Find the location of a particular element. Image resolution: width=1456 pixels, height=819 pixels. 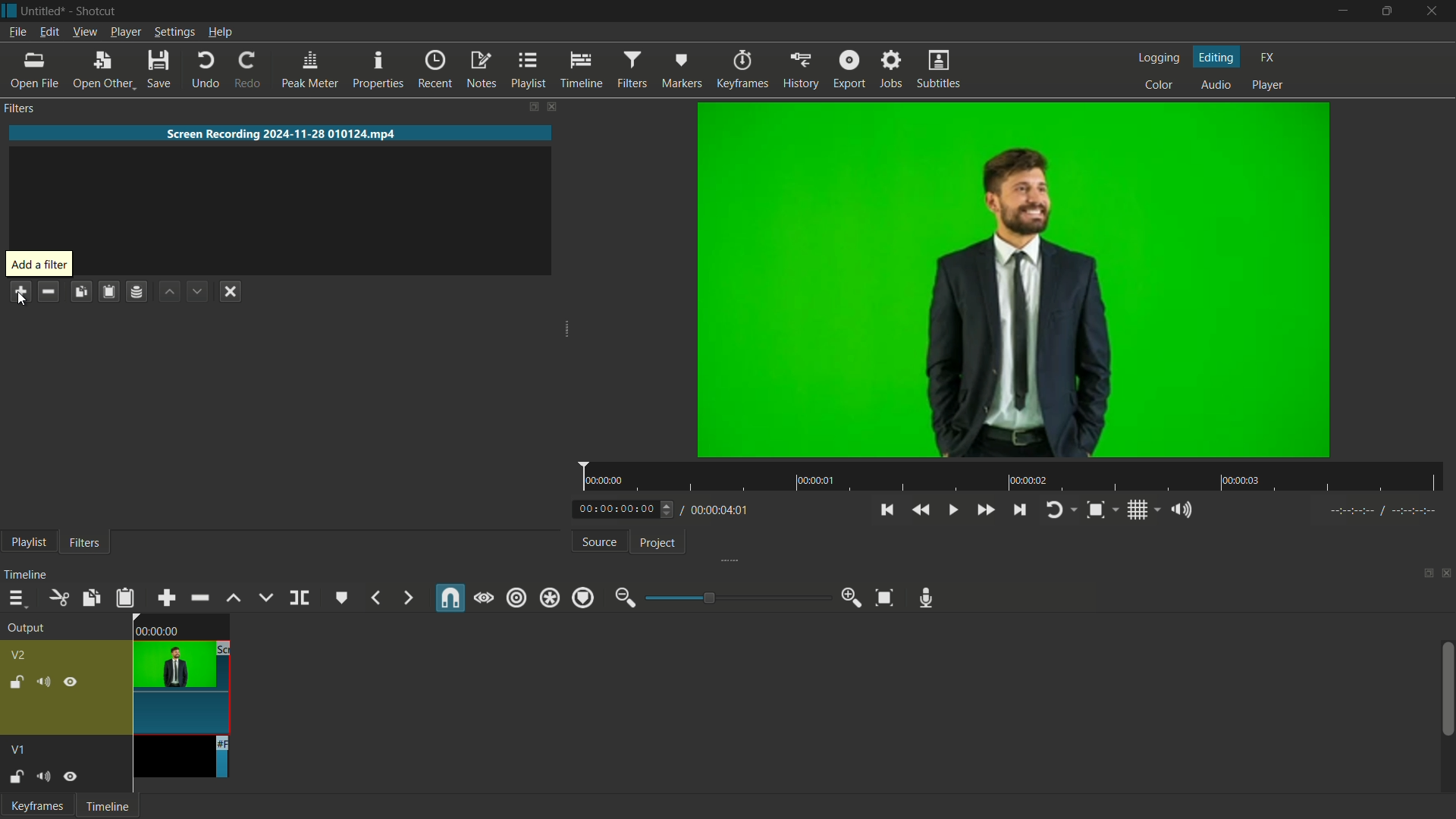

video-2 on timeline is located at coordinates (180, 673).